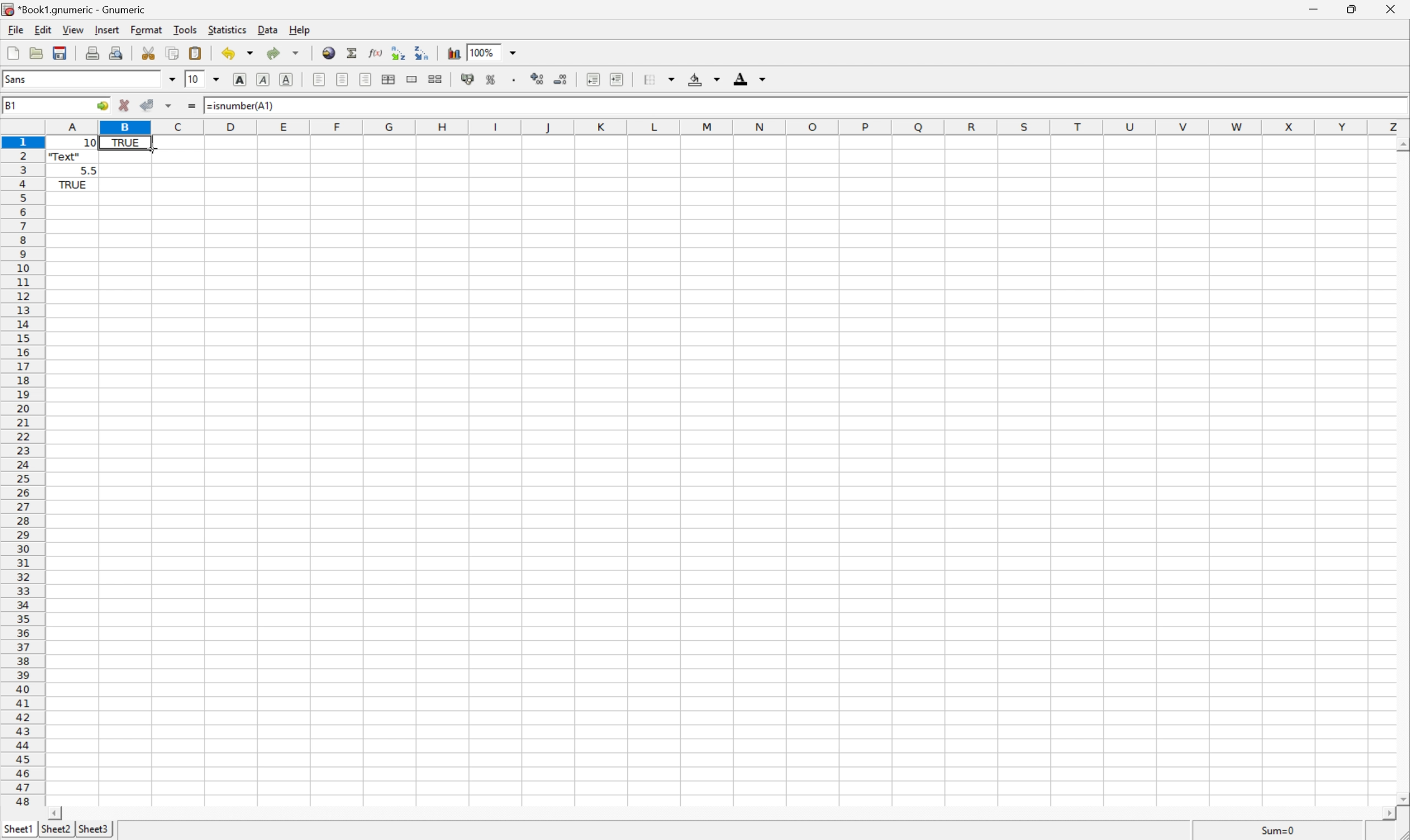 The image size is (1410, 840). I want to click on =isnumber(A1), so click(246, 106).